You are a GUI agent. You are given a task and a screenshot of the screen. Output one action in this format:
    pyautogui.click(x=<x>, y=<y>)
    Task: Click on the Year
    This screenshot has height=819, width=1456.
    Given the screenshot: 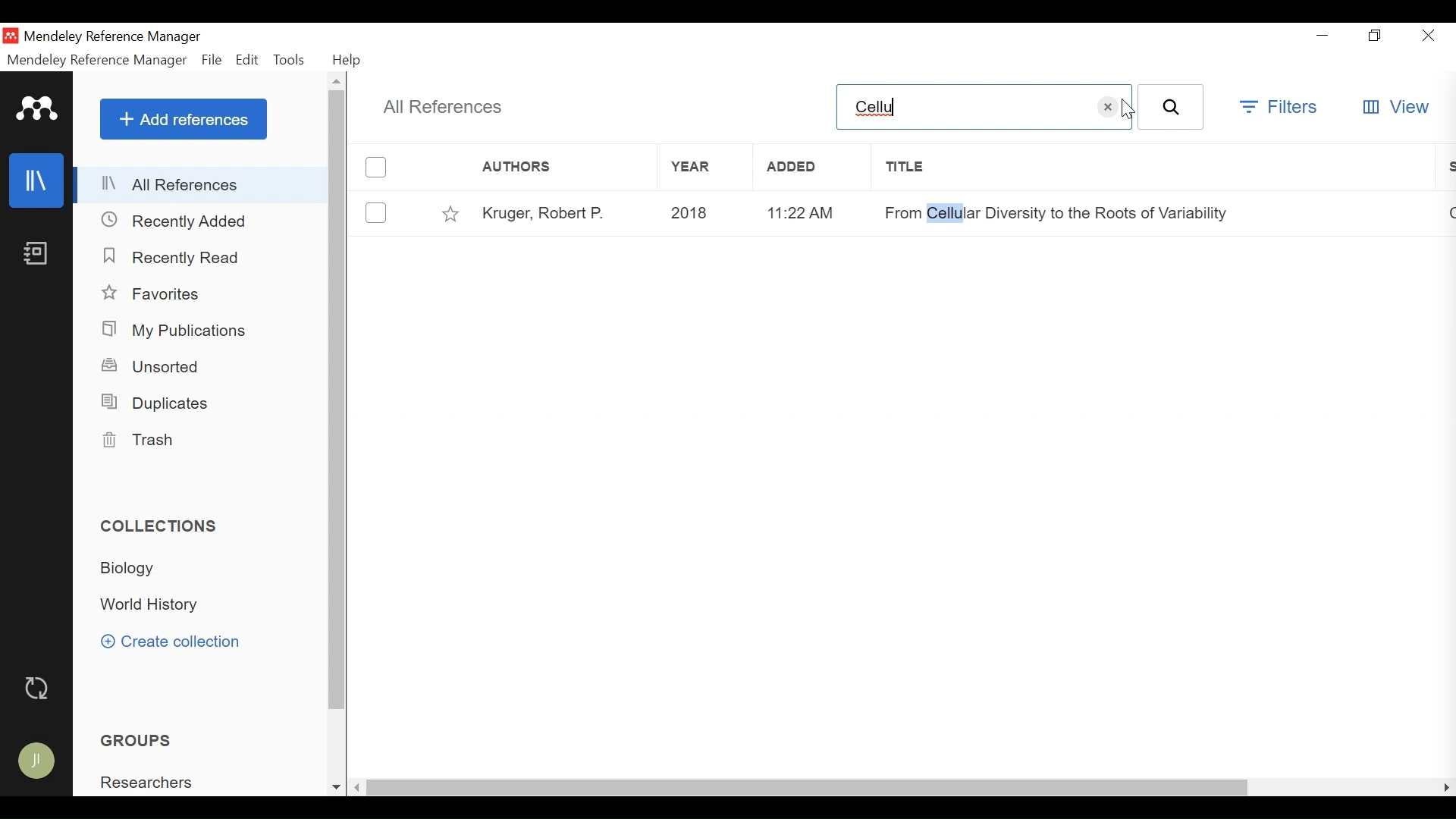 What is the action you would take?
    pyautogui.click(x=704, y=167)
    